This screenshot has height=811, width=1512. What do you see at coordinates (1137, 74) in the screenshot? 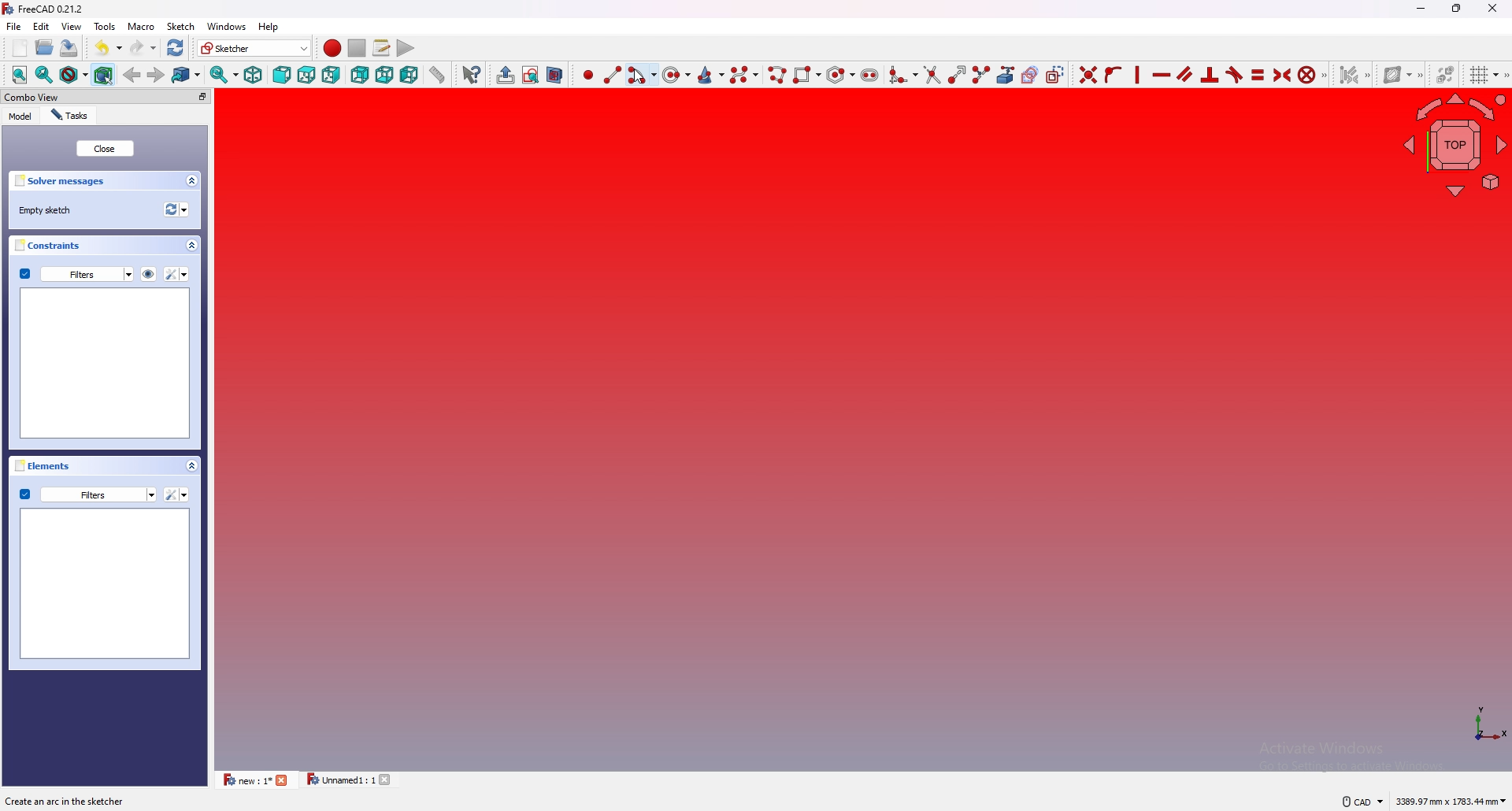
I see `constraint vertically` at bounding box center [1137, 74].